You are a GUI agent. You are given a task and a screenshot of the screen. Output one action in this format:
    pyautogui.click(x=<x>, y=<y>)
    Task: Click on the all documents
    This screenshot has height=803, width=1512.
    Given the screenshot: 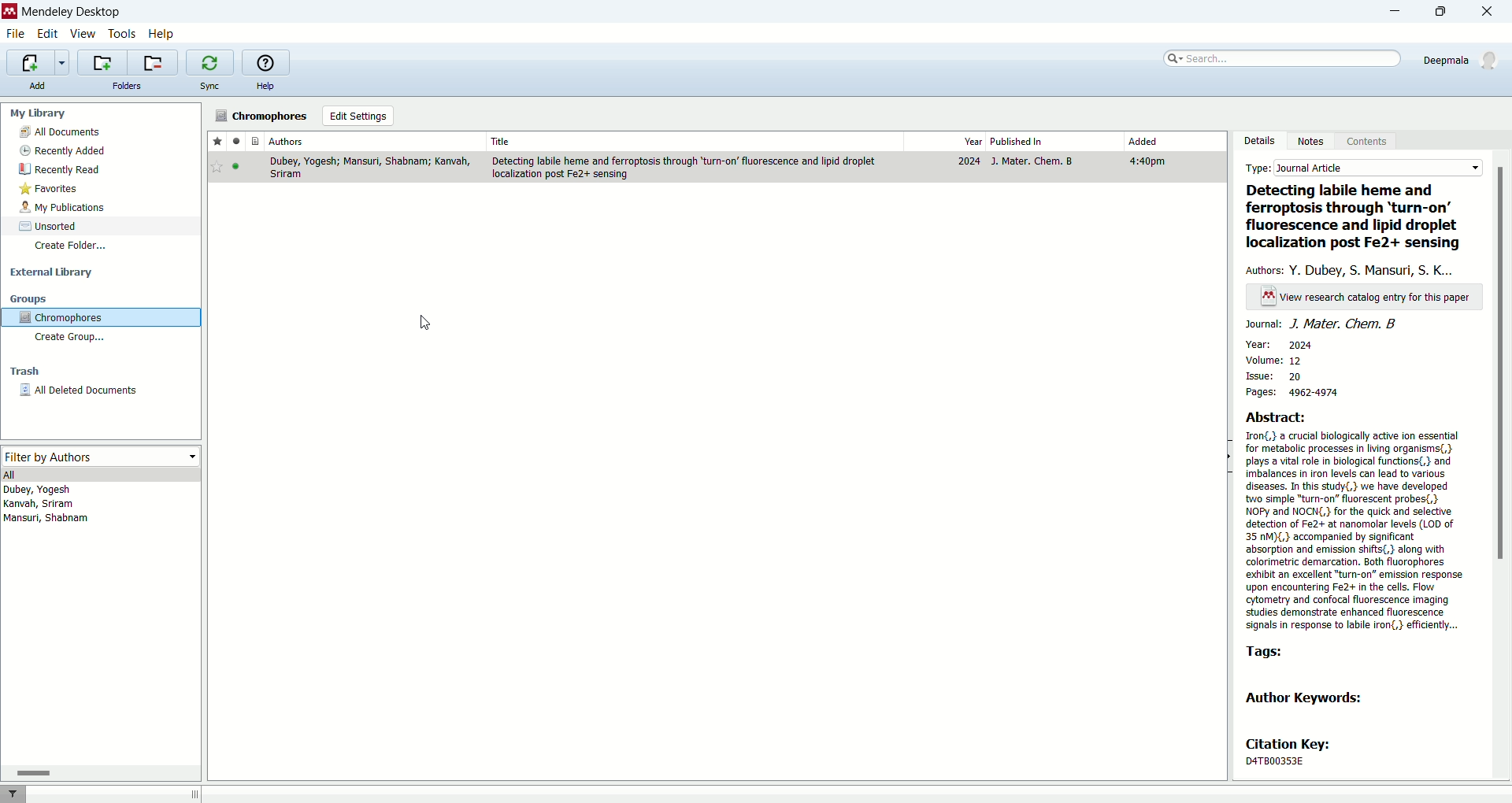 What is the action you would take?
    pyautogui.click(x=101, y=132)
    